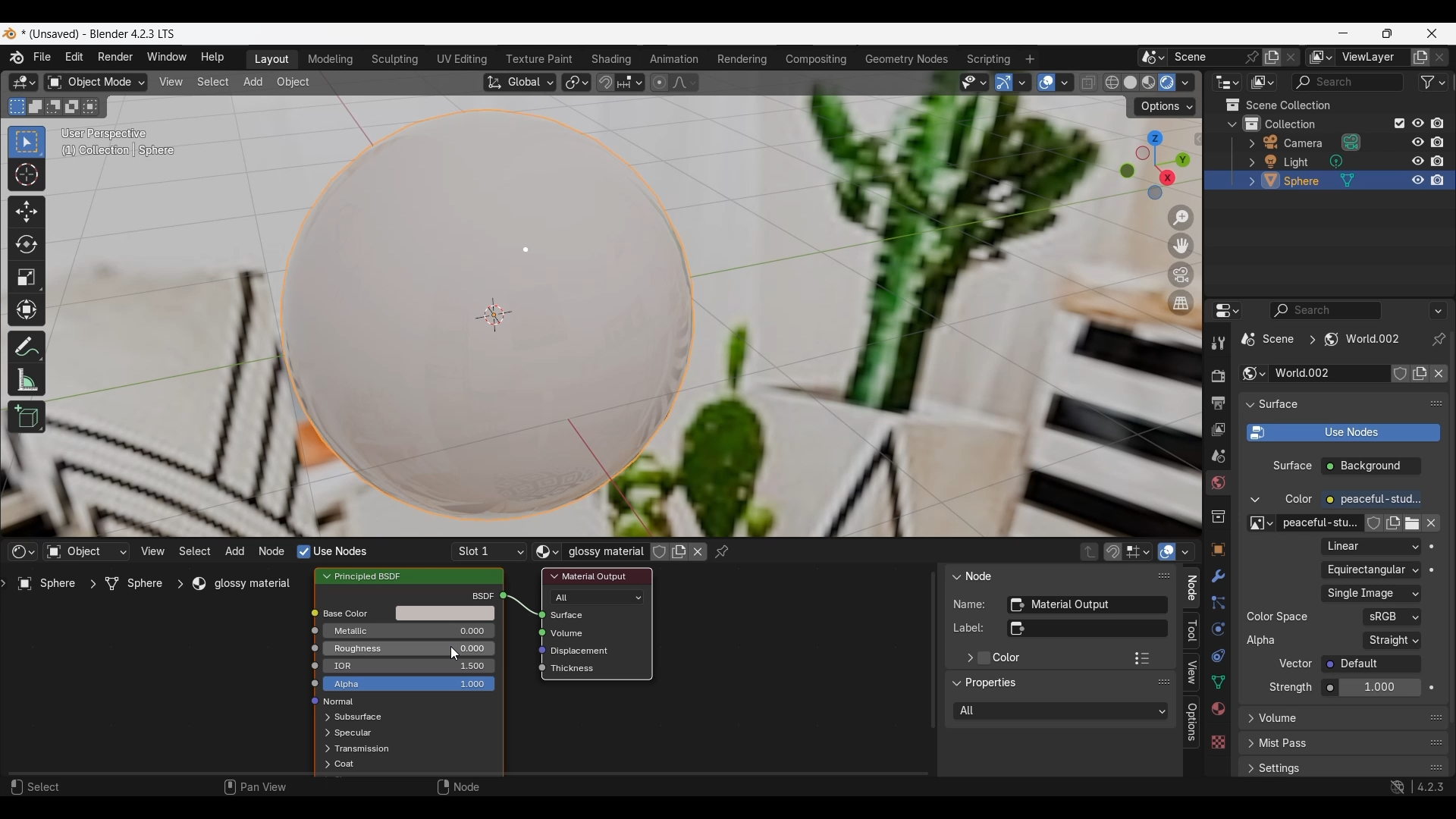 The height and width of the screenshot is (819, 1456). I want to click on Display filter, so click(1325, 310).